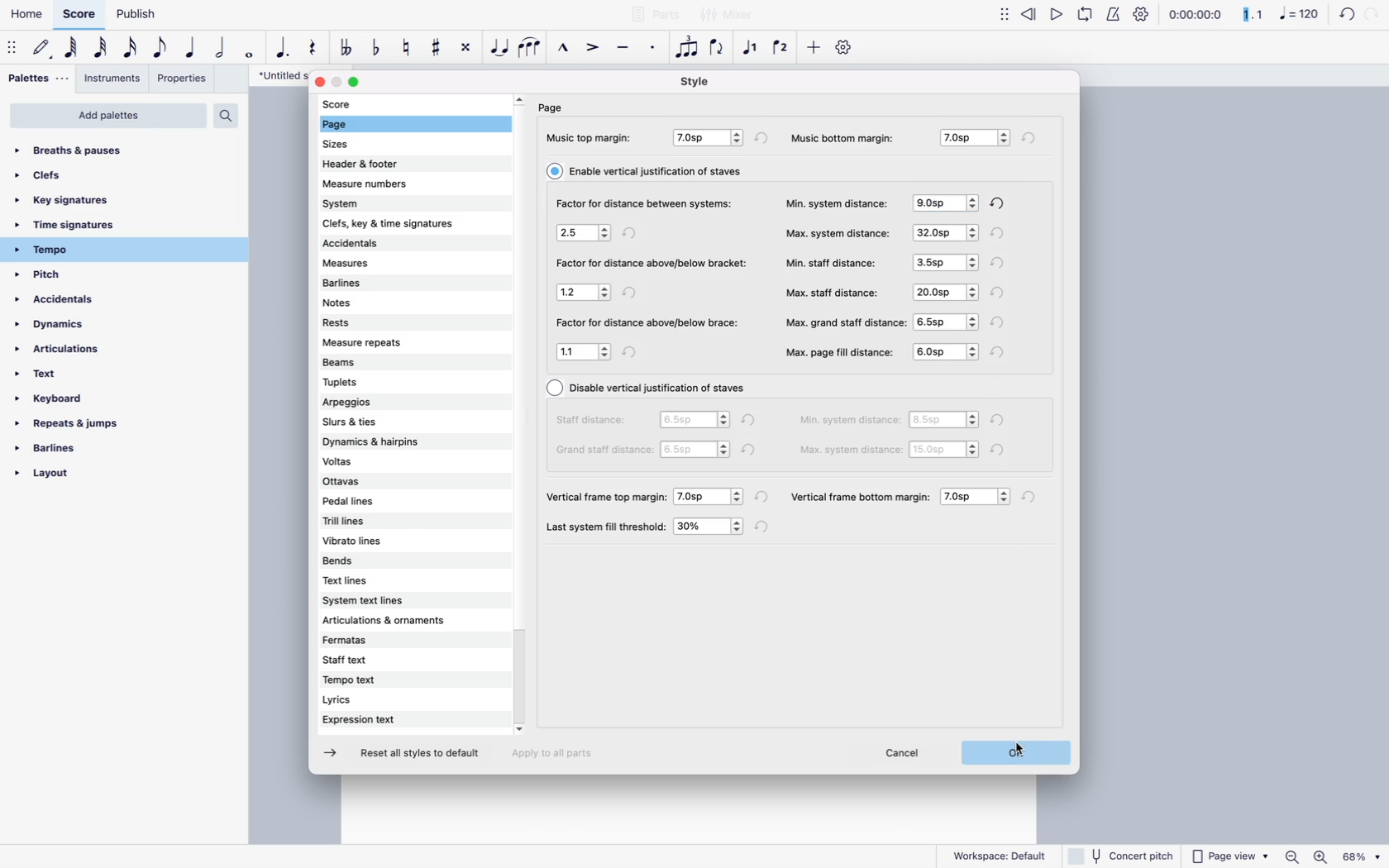 This screenshot has height=868, width=1389. Describe the element at coordinates (183, 81) in the screenshot. I see `properties` at that location.